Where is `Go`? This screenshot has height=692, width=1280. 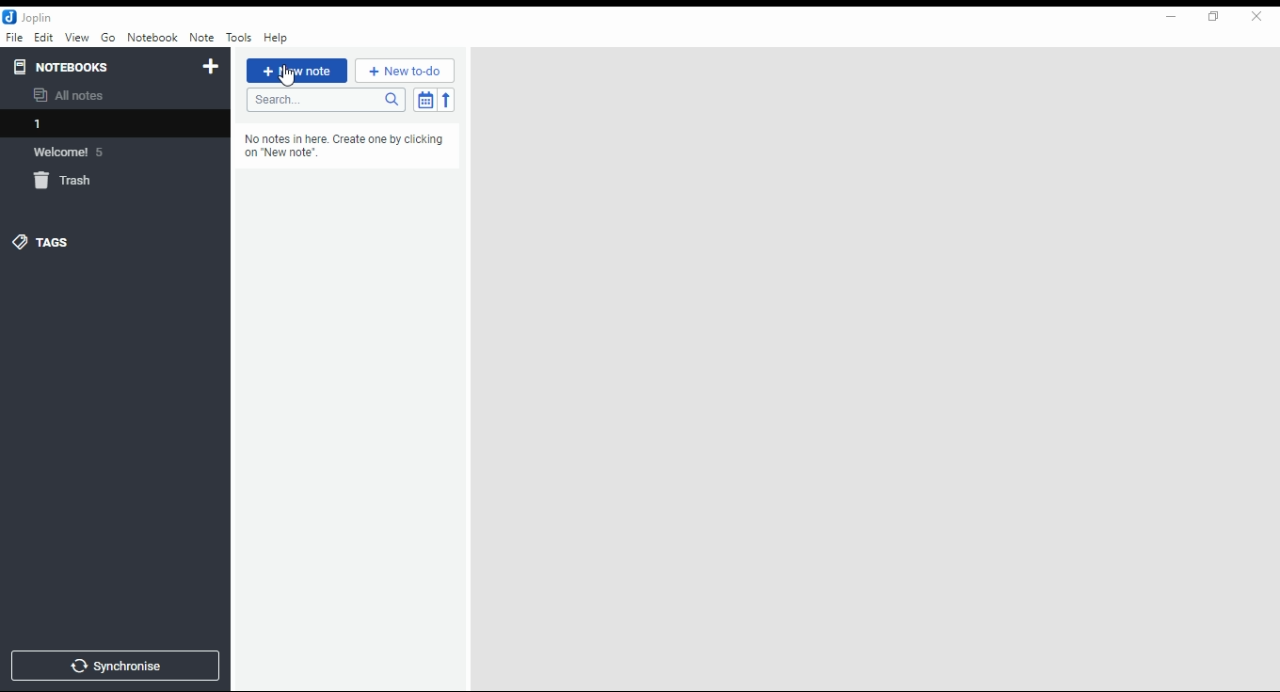 Go is located at coordinates (108, 36).